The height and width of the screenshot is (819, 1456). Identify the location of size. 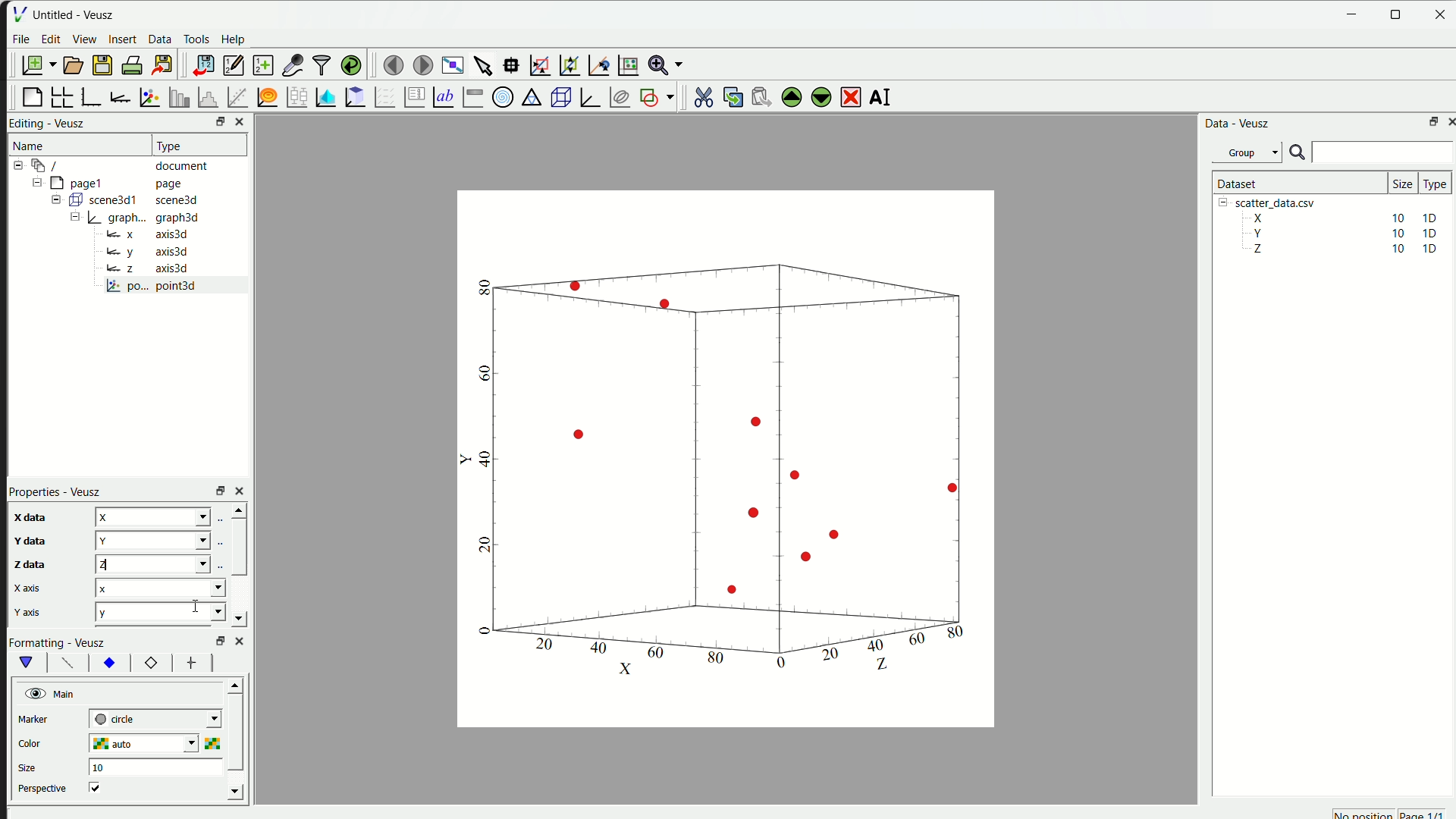
(1398, 180).